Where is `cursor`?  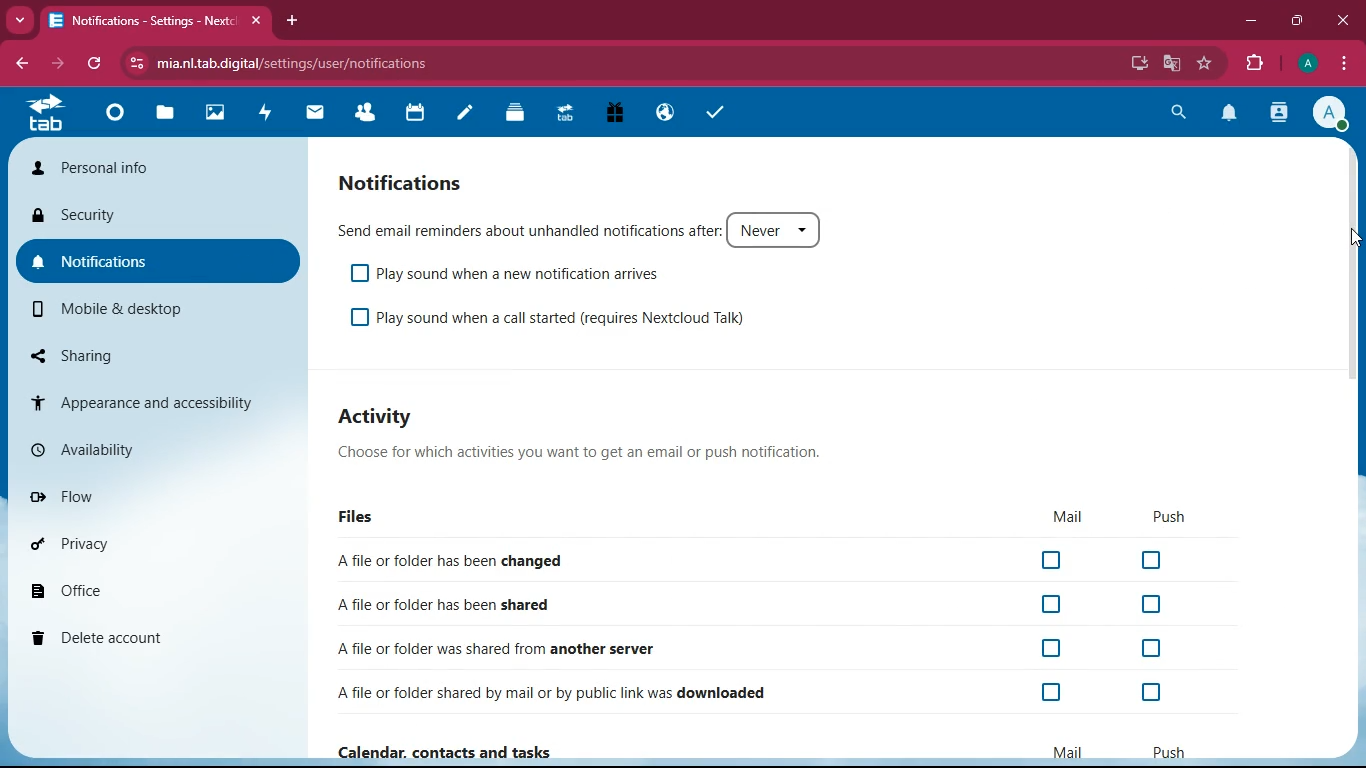
cursor is located at coordinates (1354, 238).